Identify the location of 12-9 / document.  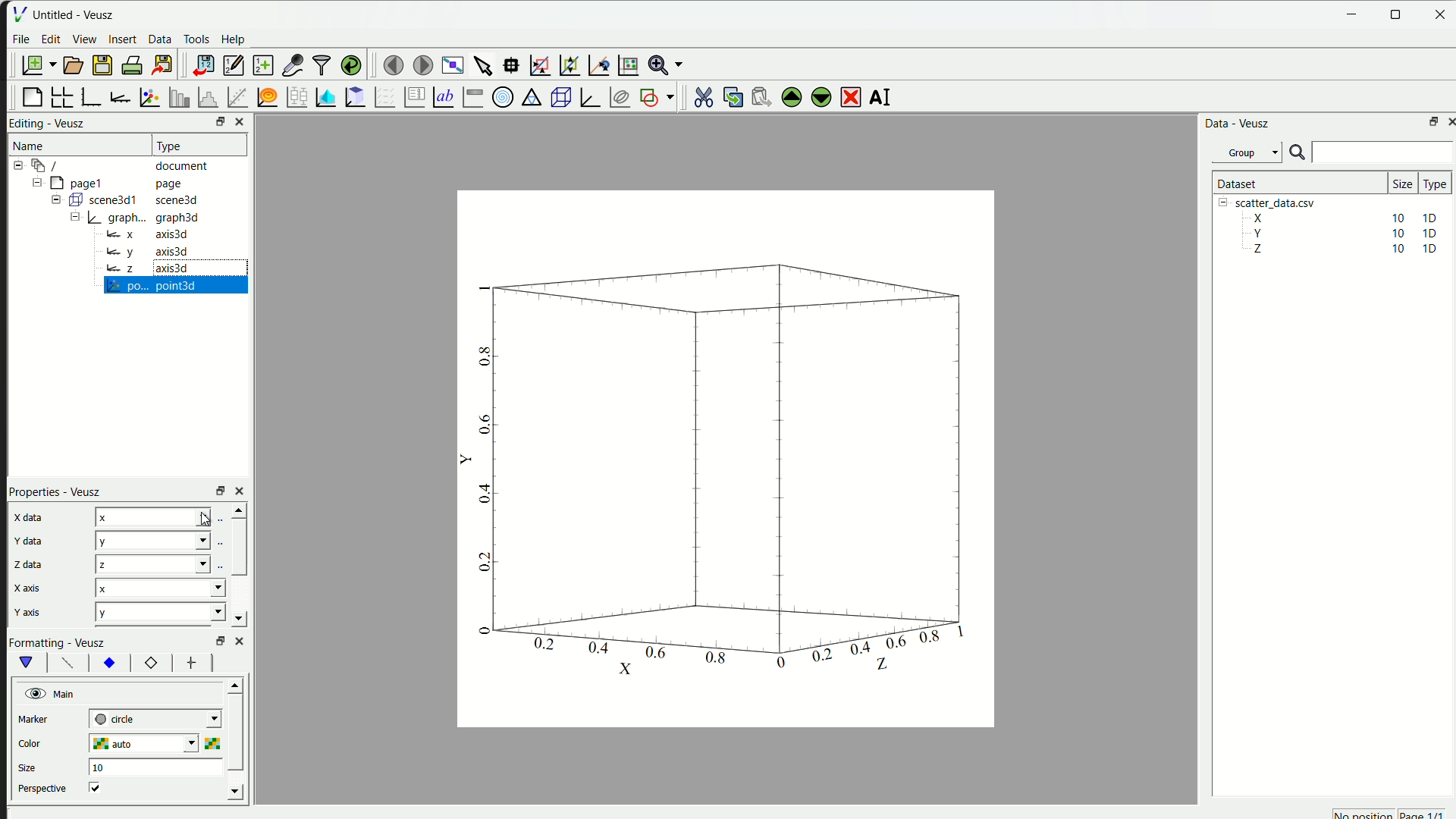
(109, 165).